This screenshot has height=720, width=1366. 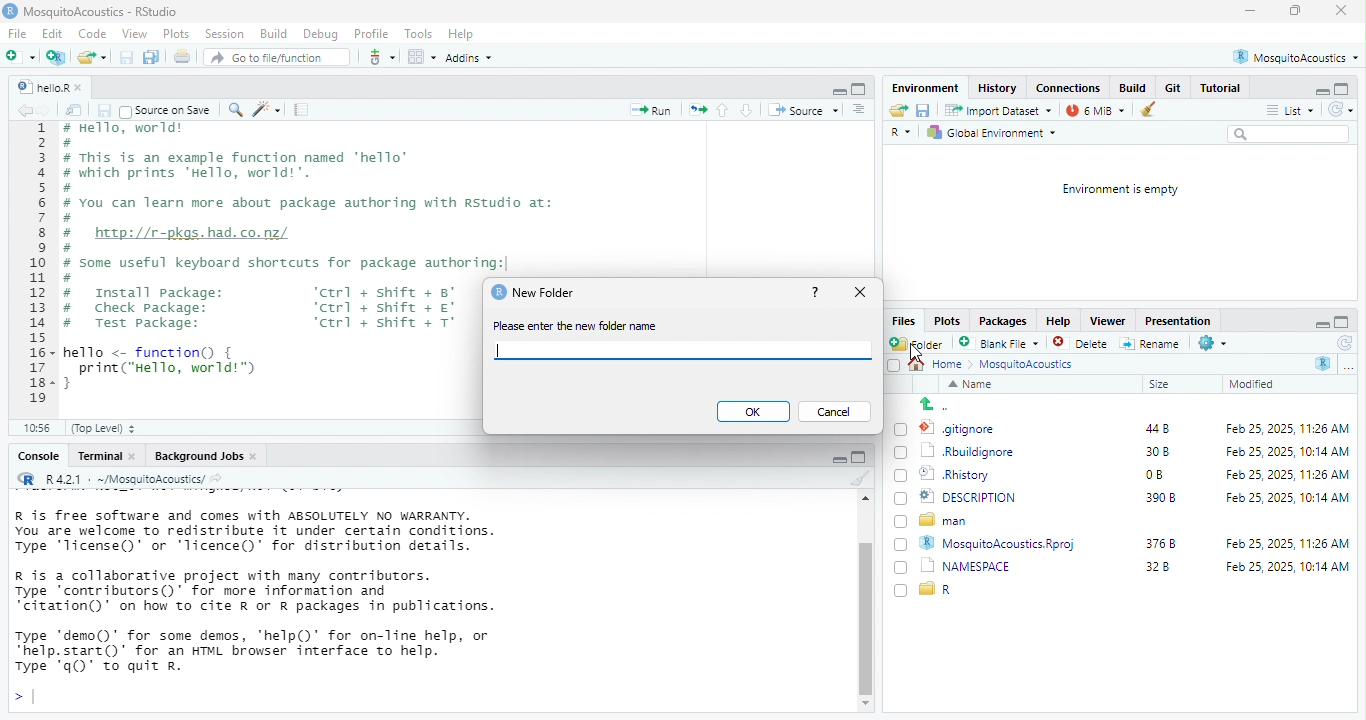 I want to click on  Environment, so click(x=926, y=87).